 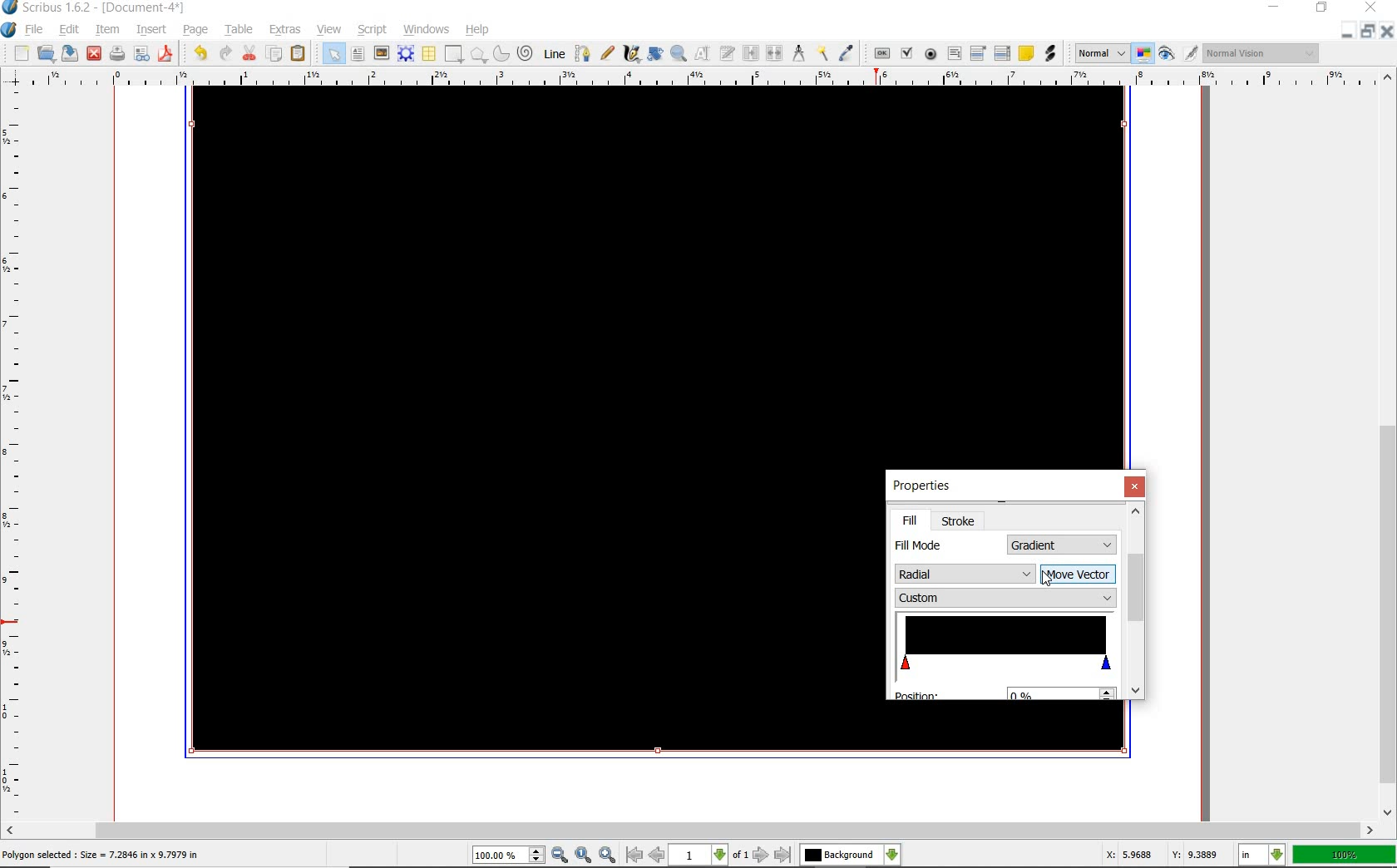 I want to click on scrollbar, so click(x=1137, y=603).